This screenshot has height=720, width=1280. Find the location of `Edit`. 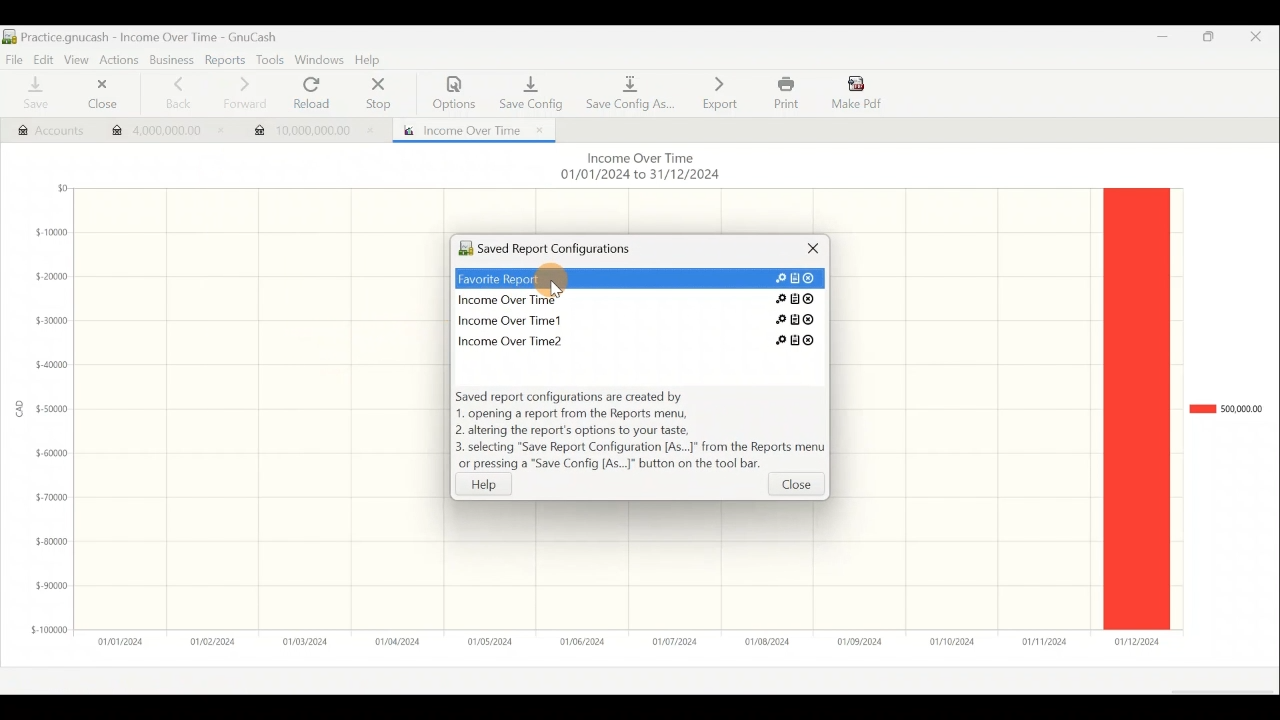

Edit is located at coordinates (40, 58).